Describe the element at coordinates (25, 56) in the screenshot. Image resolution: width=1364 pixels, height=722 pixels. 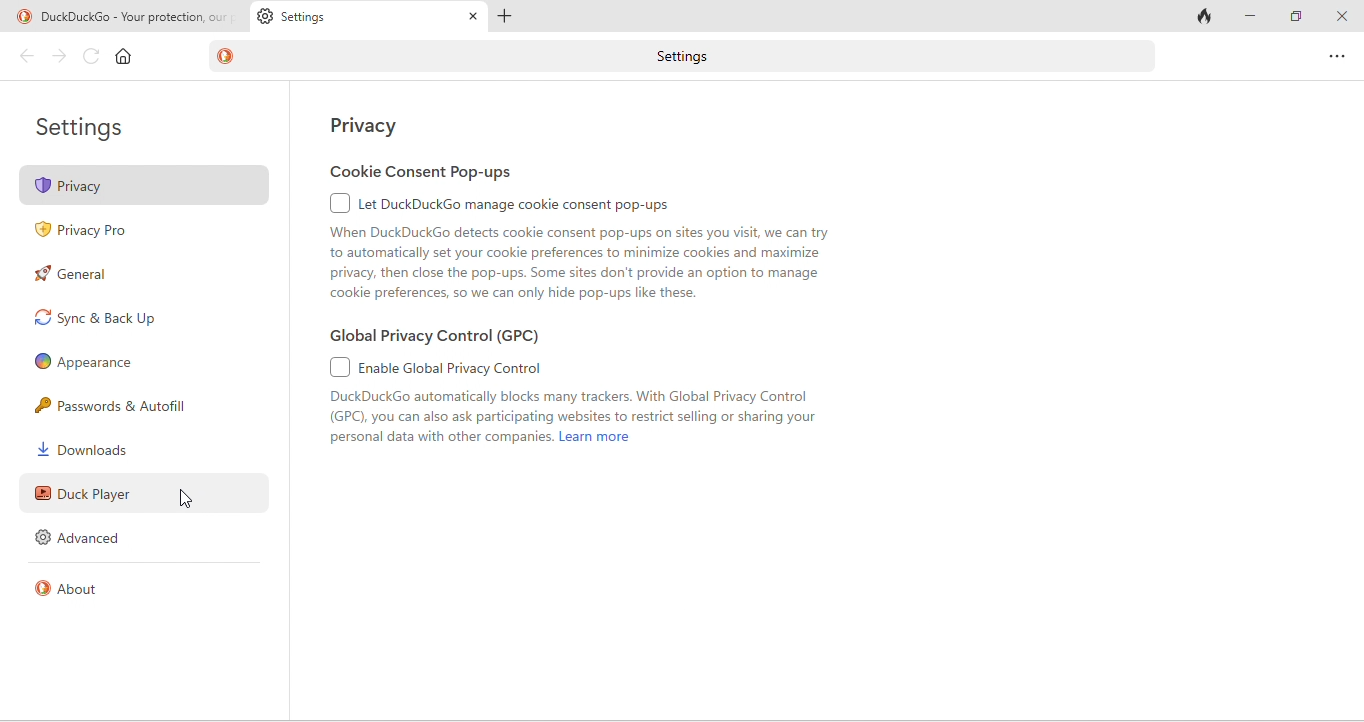
I see `back` at that location.